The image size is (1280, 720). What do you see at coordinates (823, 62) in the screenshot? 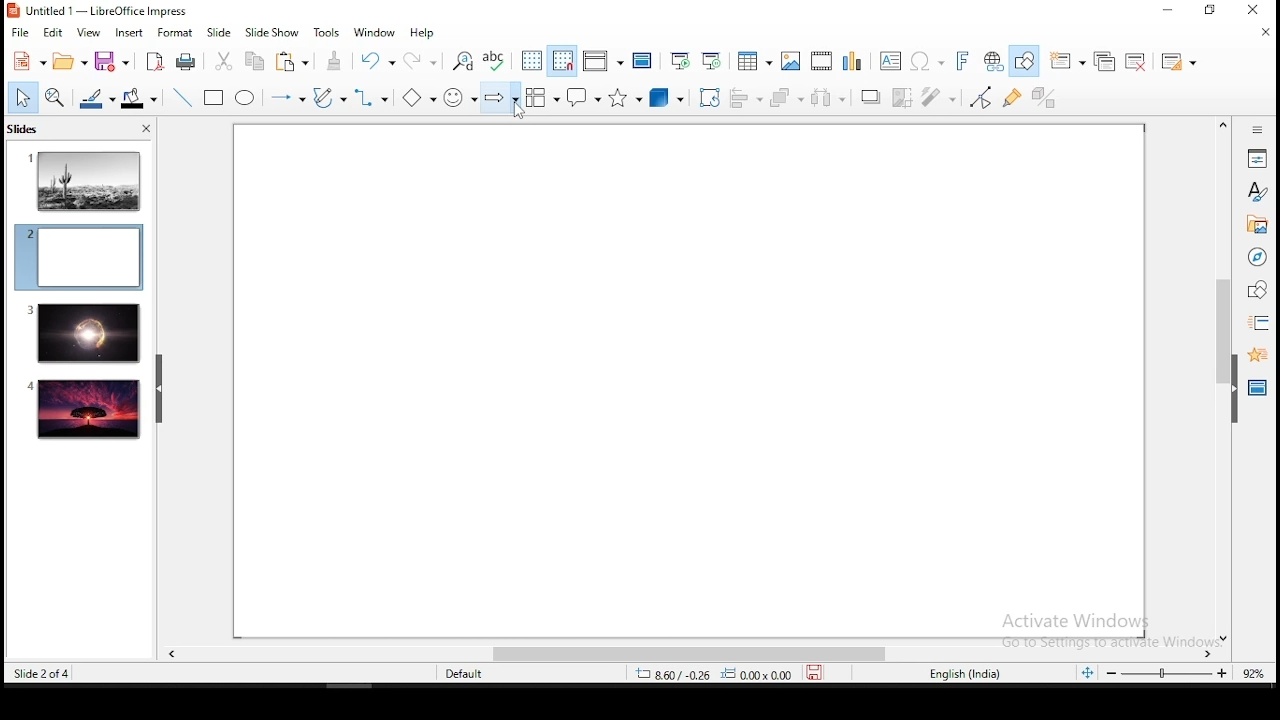
I see `insert audio and video` at bounding box center [823, 62].